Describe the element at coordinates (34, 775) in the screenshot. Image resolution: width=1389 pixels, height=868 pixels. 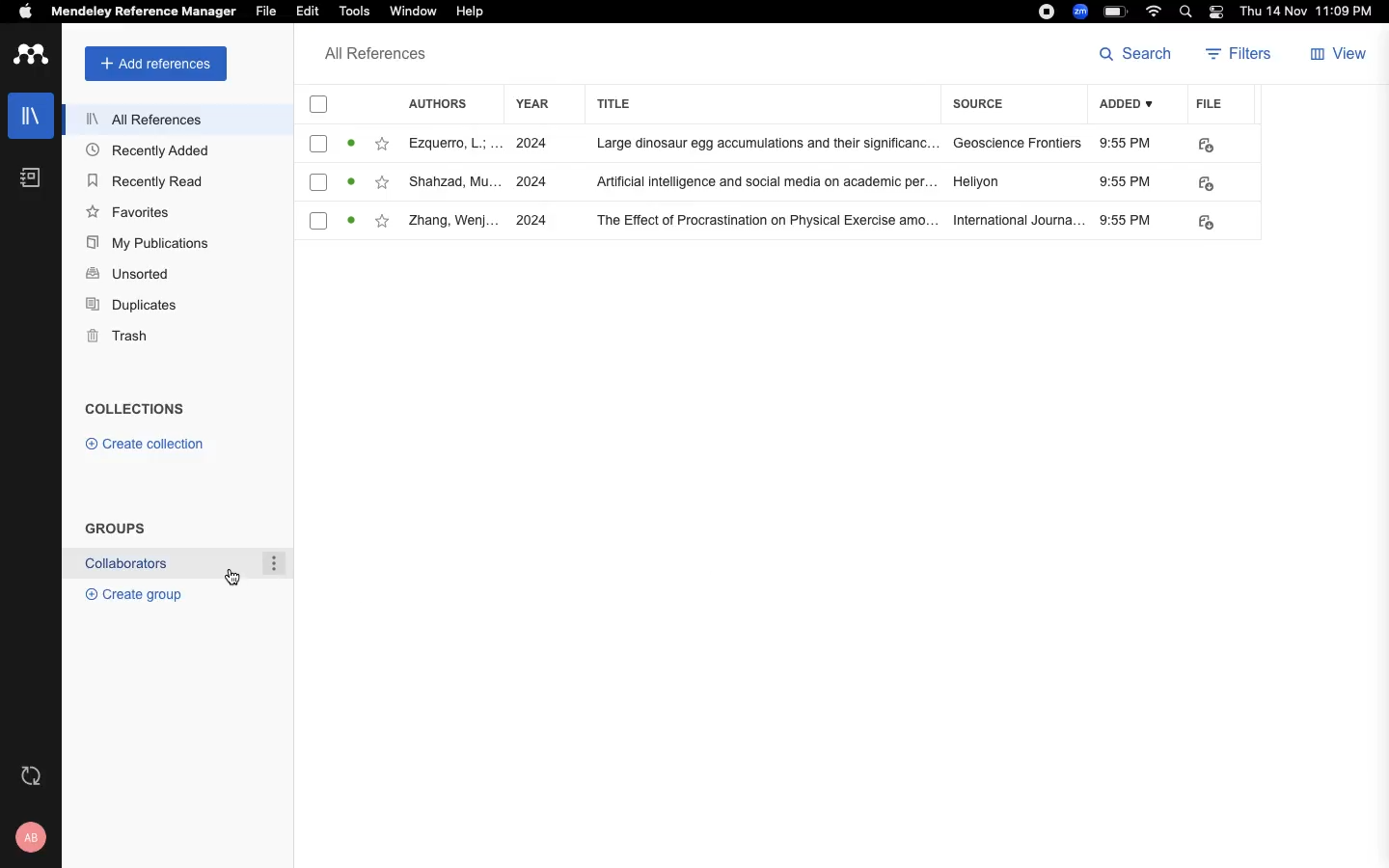
I see `refresh` at that location.